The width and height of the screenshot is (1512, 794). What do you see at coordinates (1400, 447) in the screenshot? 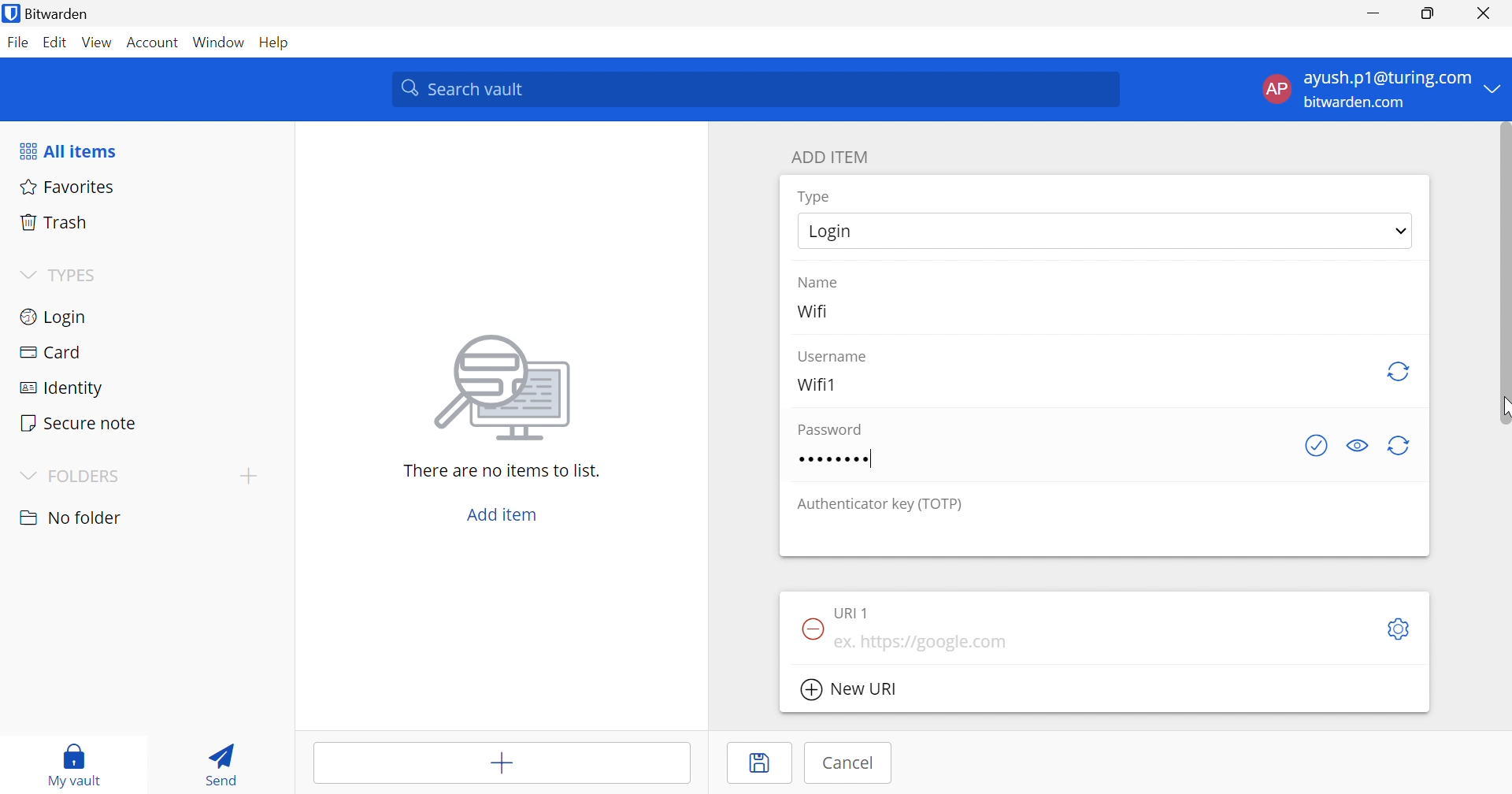
I see `Regenerate password` at bounding box center [1400, 447].